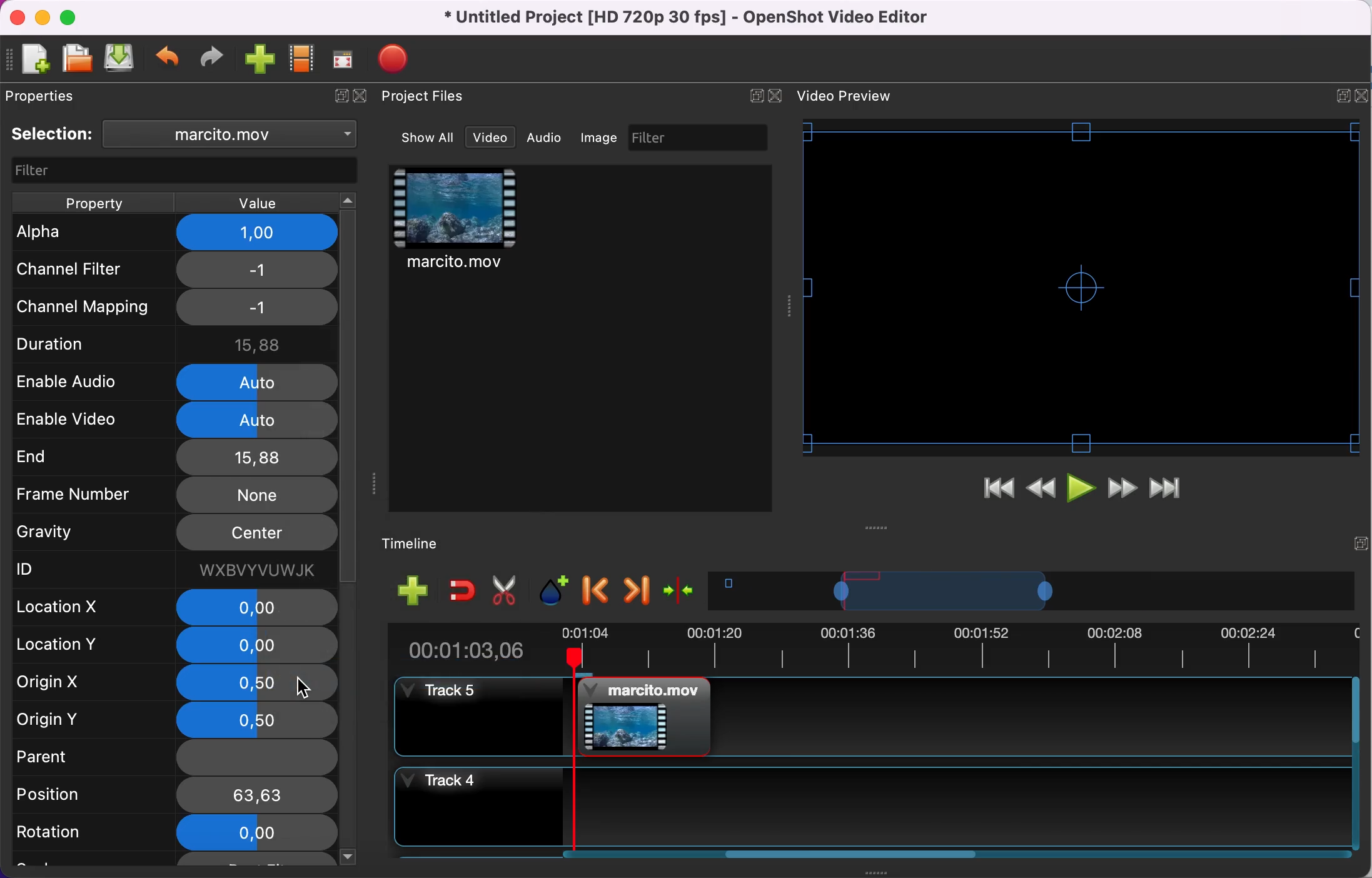 This screenshot has height=878, width=1372. I want to click on Vertical slide bar, so click(1356, 763).